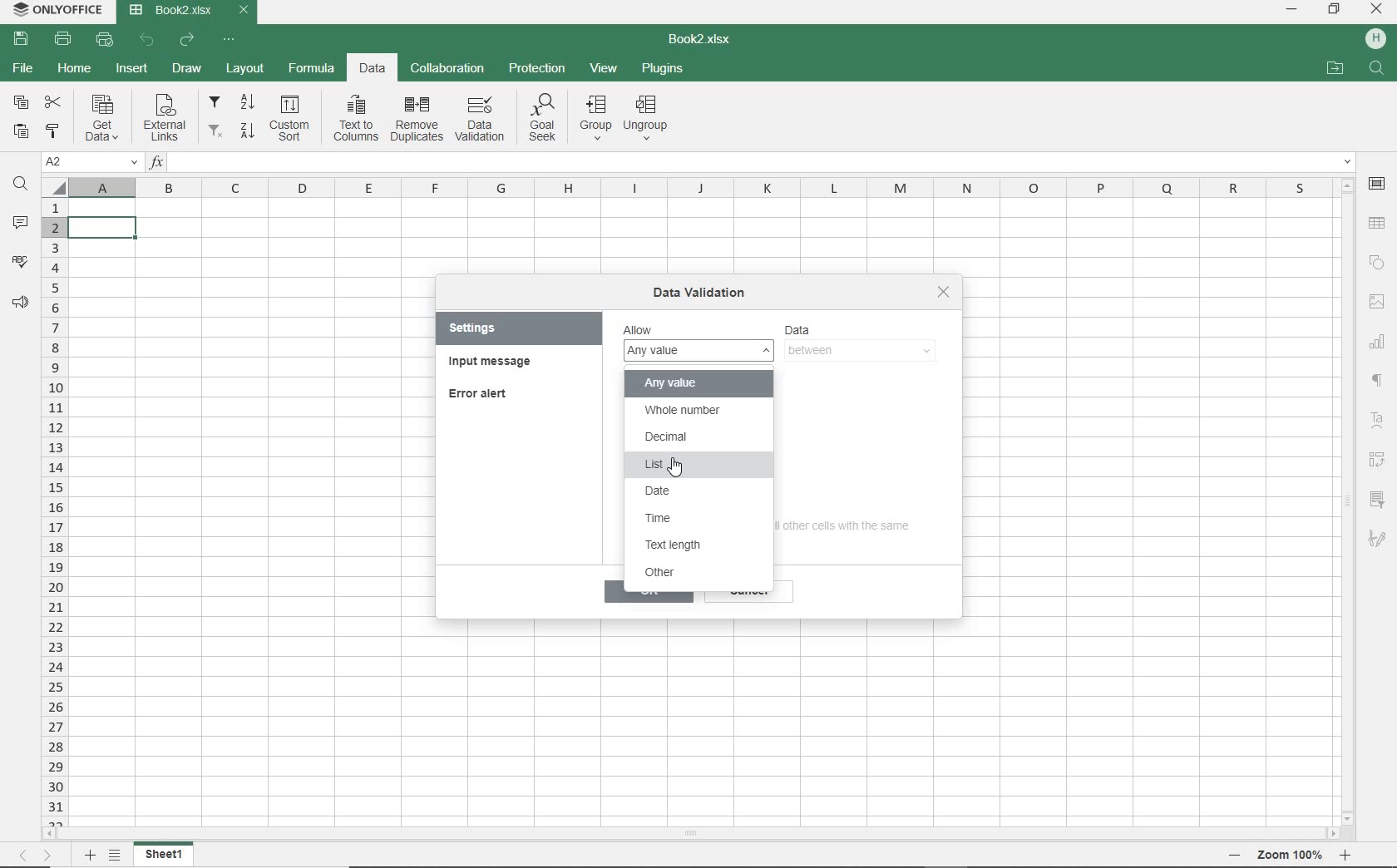 The image size is (1397, 868). Describe the element at coordinates (644, 329) in the screenshot. I see `allow` at that location.